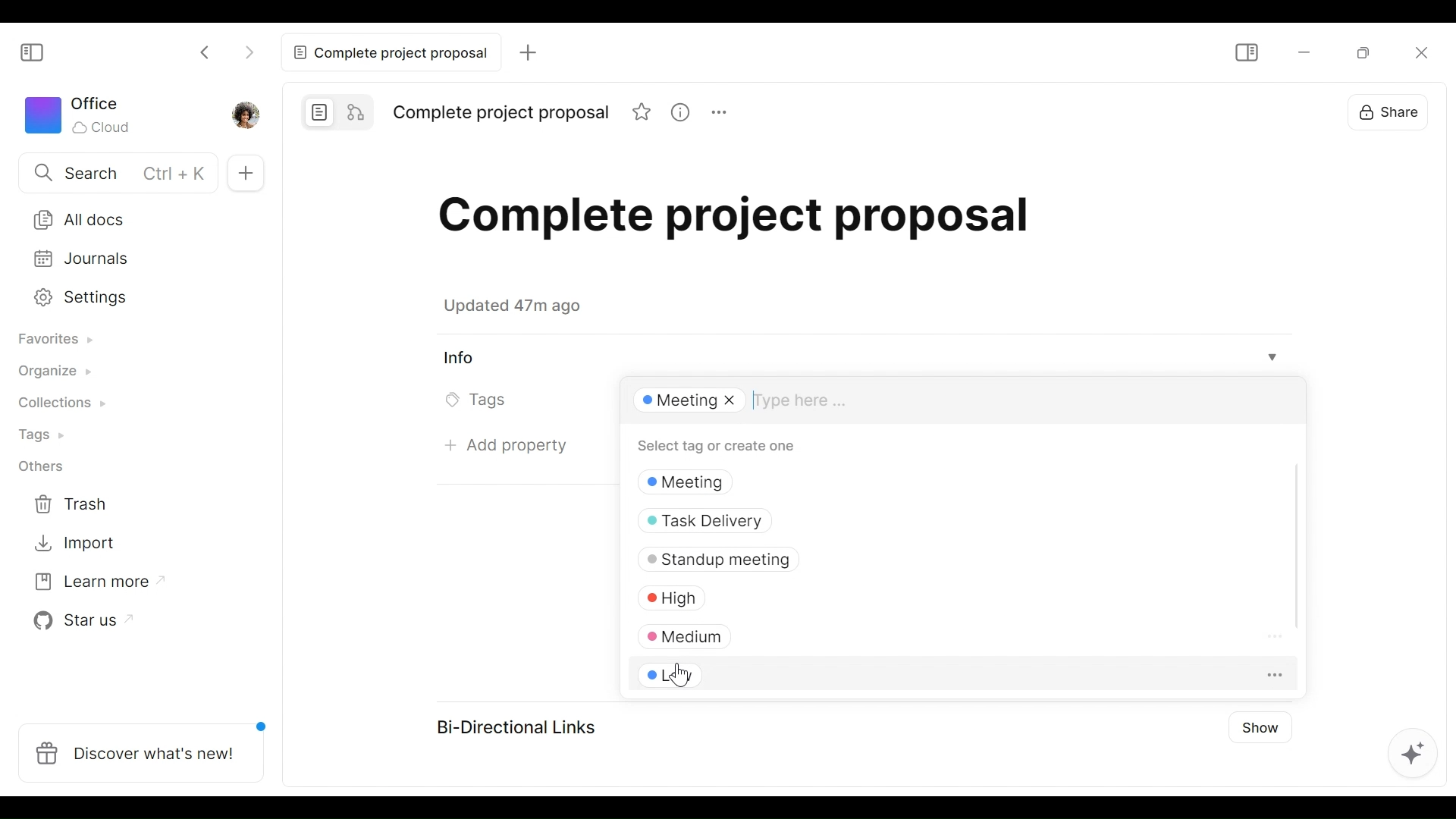  What do you see at coordinates (316, 110) in the screenshot?
I see `Page mode` at bounding box center [316, 110].